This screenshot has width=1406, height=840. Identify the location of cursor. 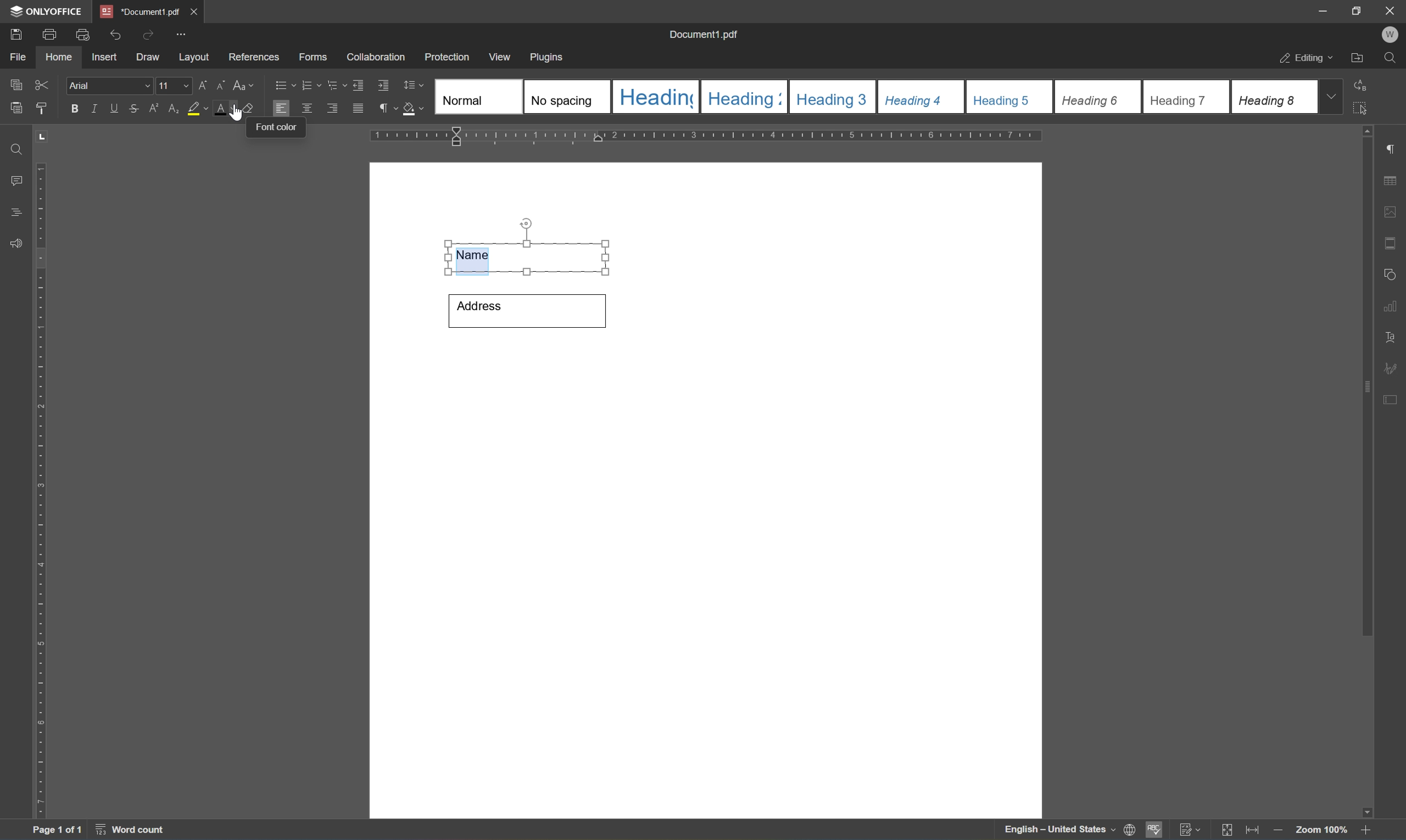
(235, 112).